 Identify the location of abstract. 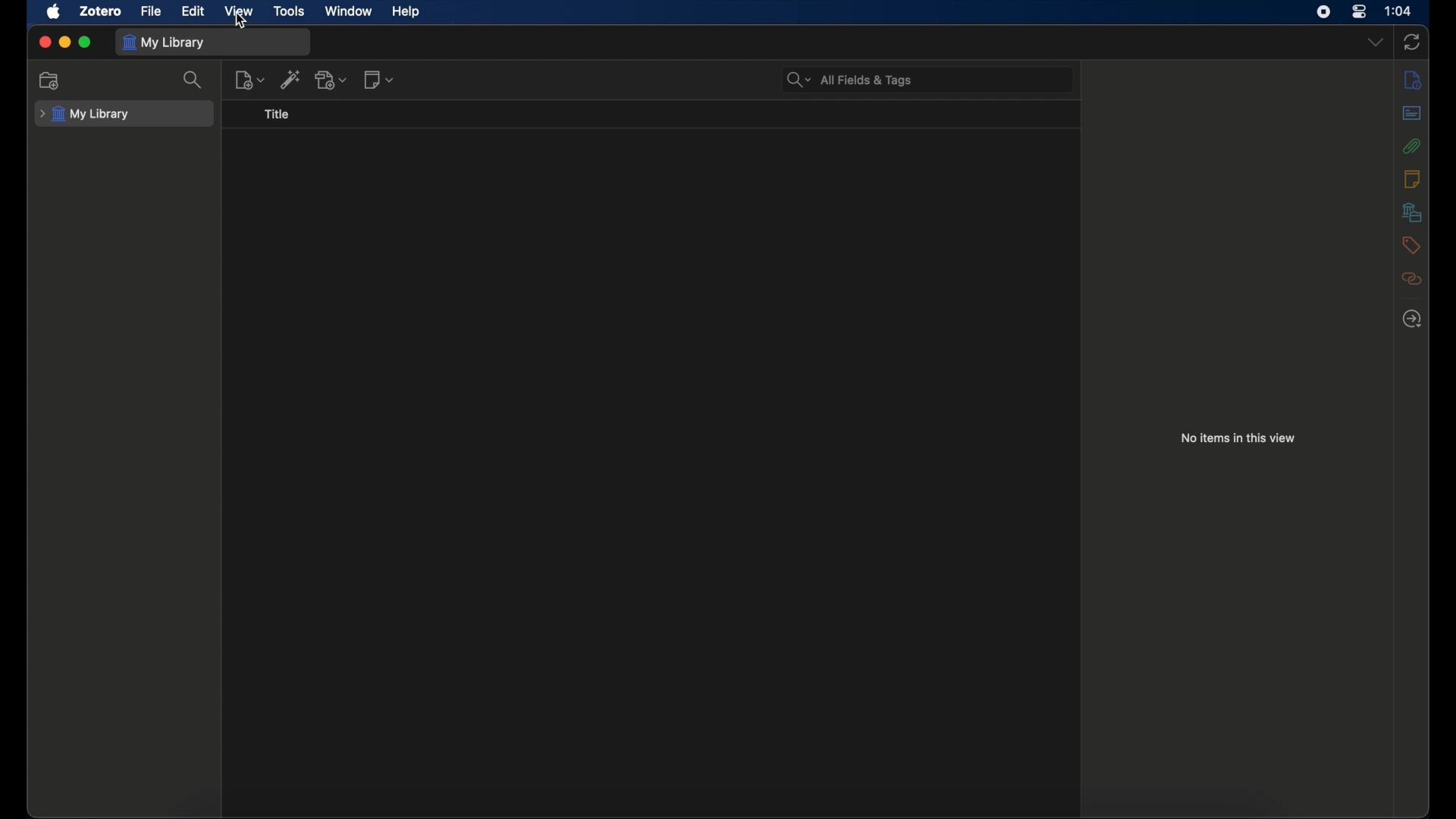
(1414, 114).